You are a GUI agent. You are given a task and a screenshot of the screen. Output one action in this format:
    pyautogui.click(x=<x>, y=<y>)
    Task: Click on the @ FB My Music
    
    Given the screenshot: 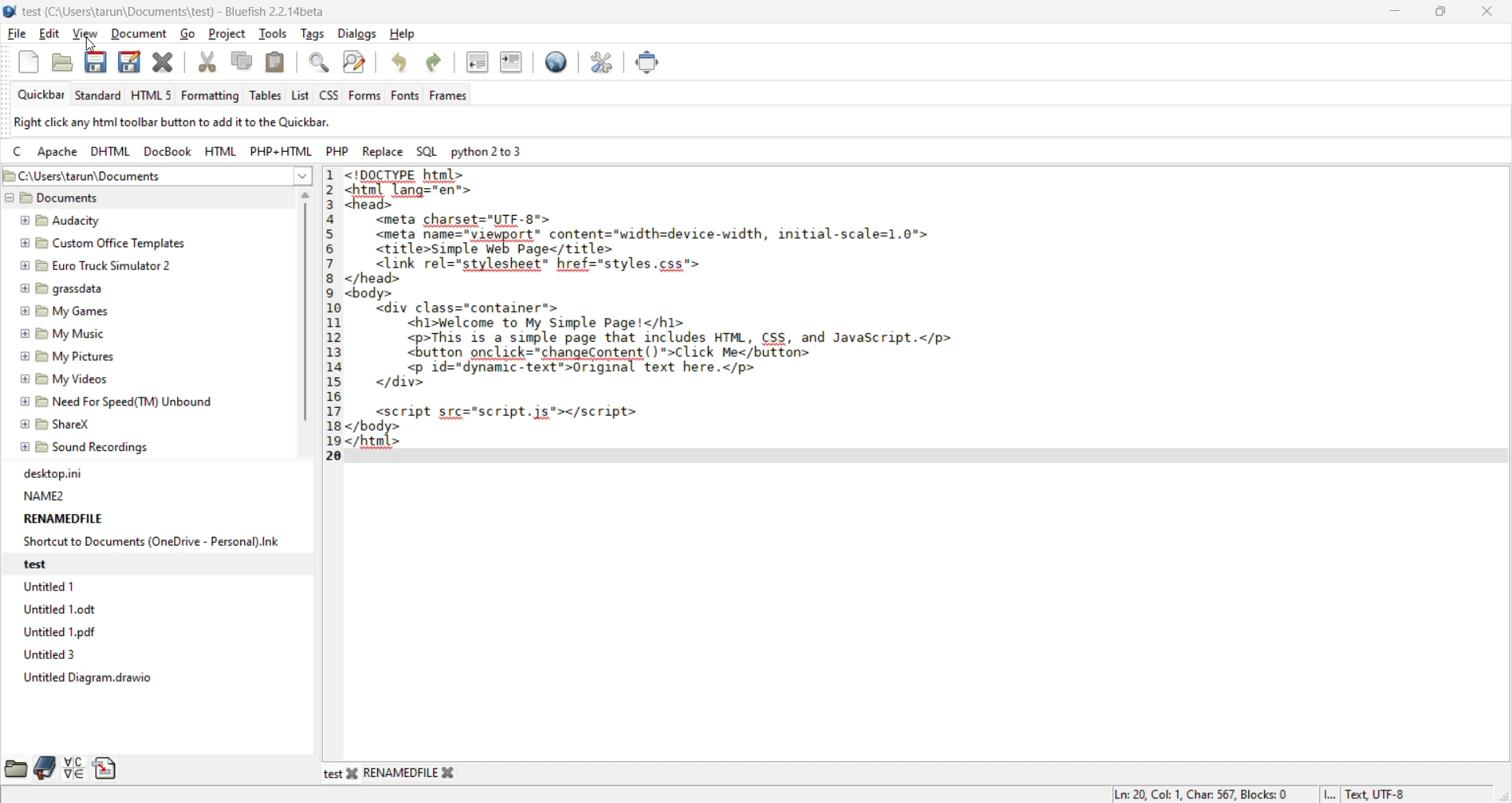 What is the action you would take?
    pyautogui.click(x=62, y=334)
    